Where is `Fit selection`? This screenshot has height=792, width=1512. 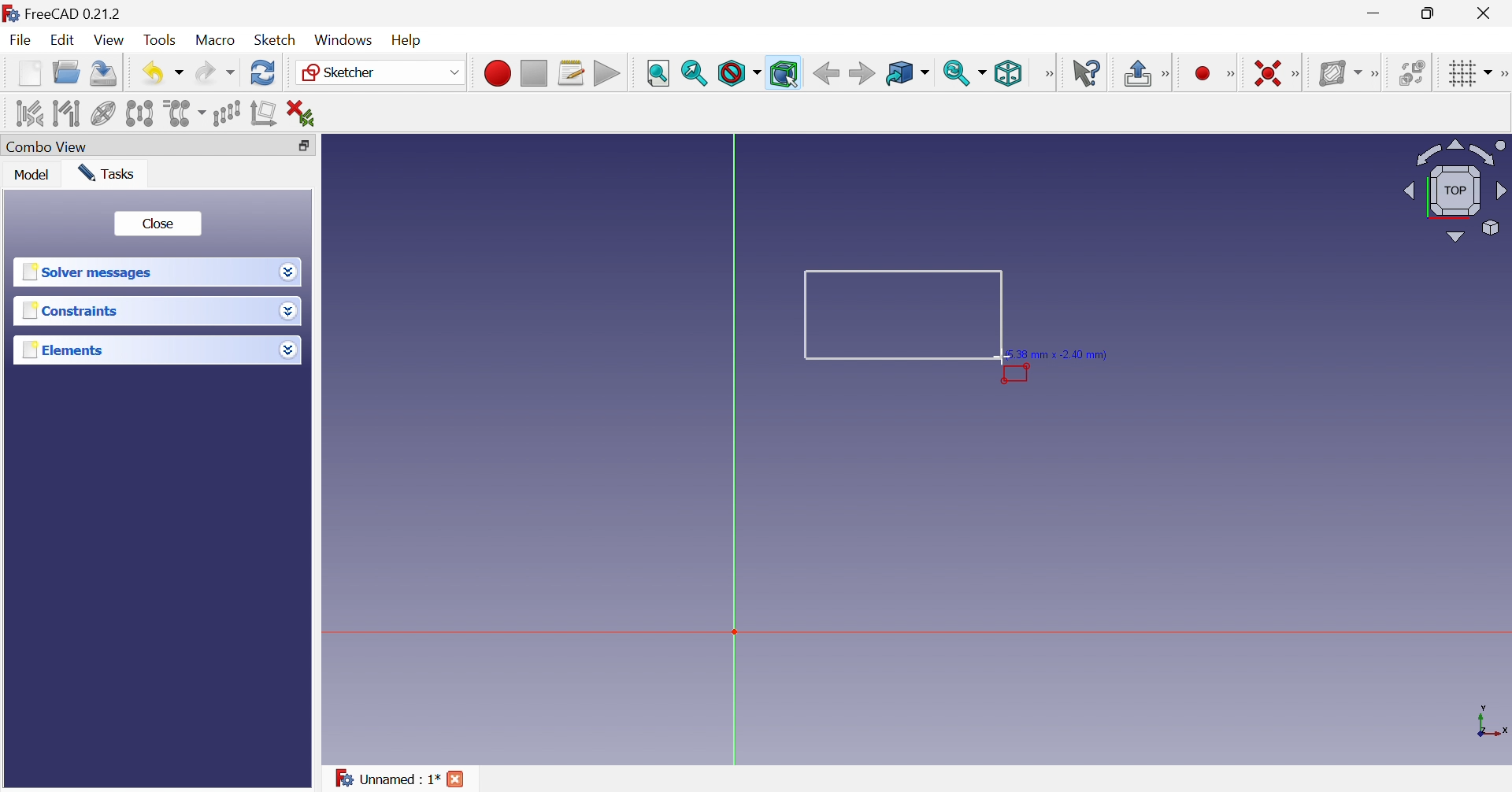 Fit selection is located at coordinates (695, 72).